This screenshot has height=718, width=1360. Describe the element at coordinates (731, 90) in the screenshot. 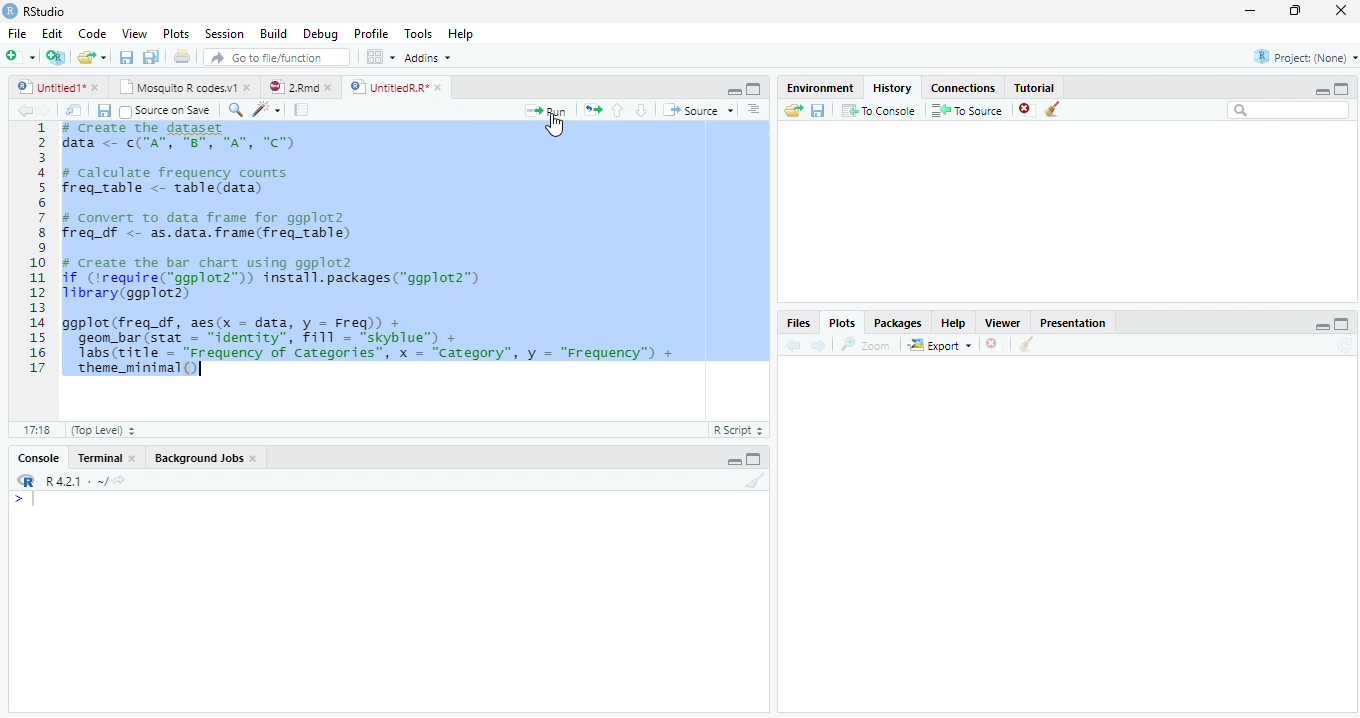

I see `Minimize` at that location.